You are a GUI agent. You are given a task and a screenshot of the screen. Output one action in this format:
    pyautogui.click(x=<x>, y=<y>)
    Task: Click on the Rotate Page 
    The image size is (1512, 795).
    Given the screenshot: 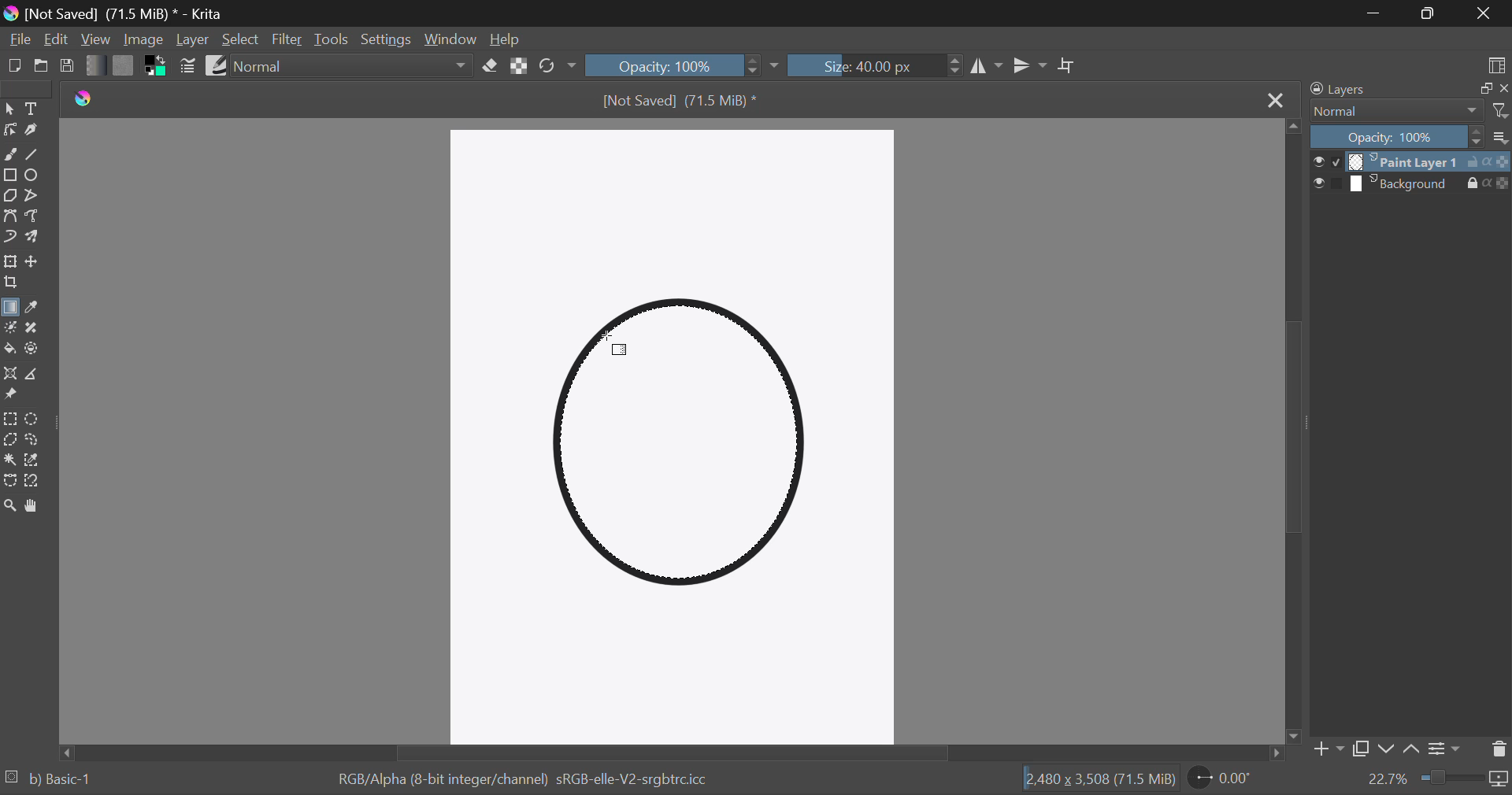 What is the action you would take?
    pyautogui.click(x=1220, y=778)
    